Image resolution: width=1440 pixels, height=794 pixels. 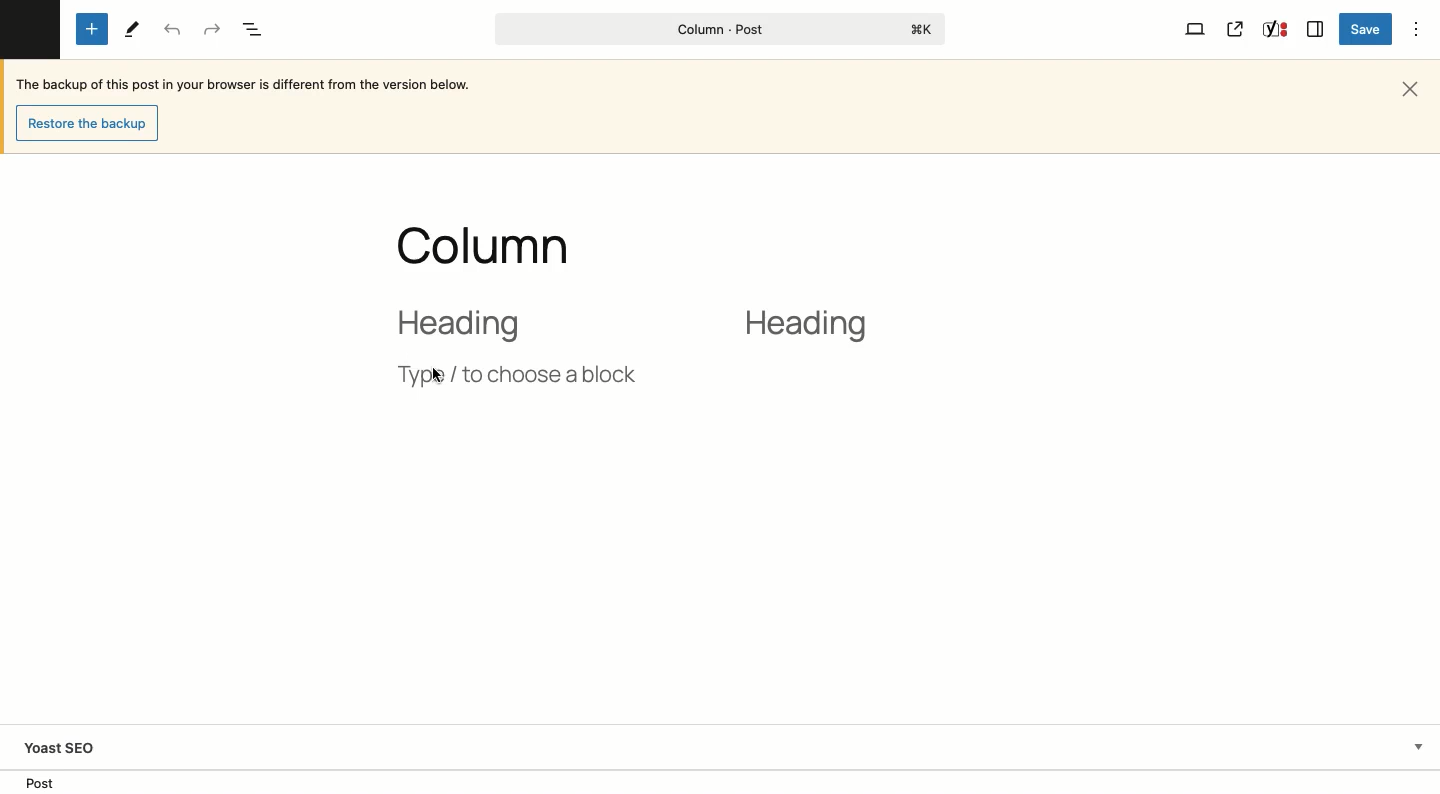 What do you see at coordinates (1414, 87) in the screenshot?
I see `Close` at bounding box center [1414, 87].